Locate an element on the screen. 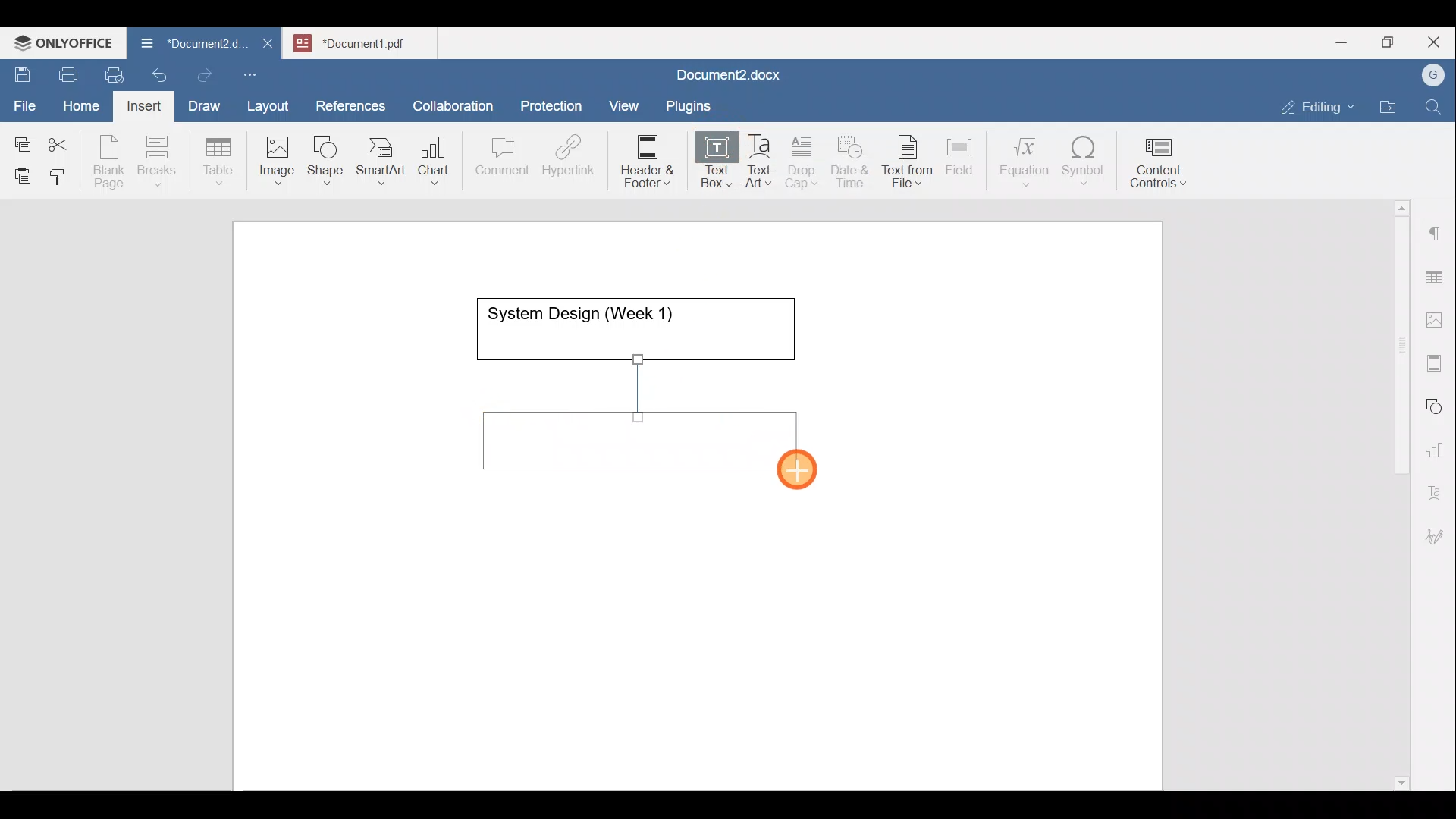  Content controls is located at coordinates (1161, 168).